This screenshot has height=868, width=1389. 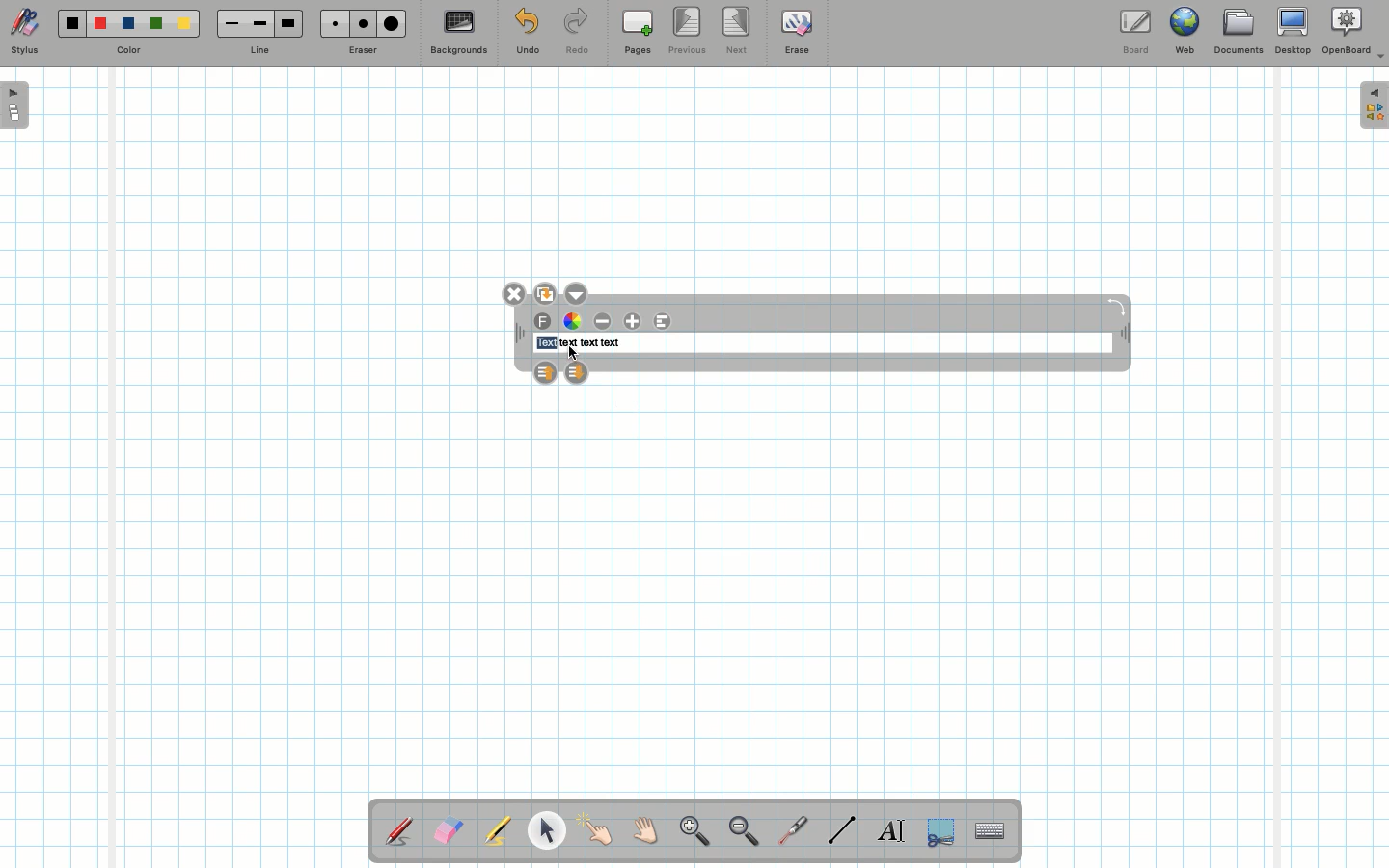 I want to click on Duplicate, so click(x=544, y=291).